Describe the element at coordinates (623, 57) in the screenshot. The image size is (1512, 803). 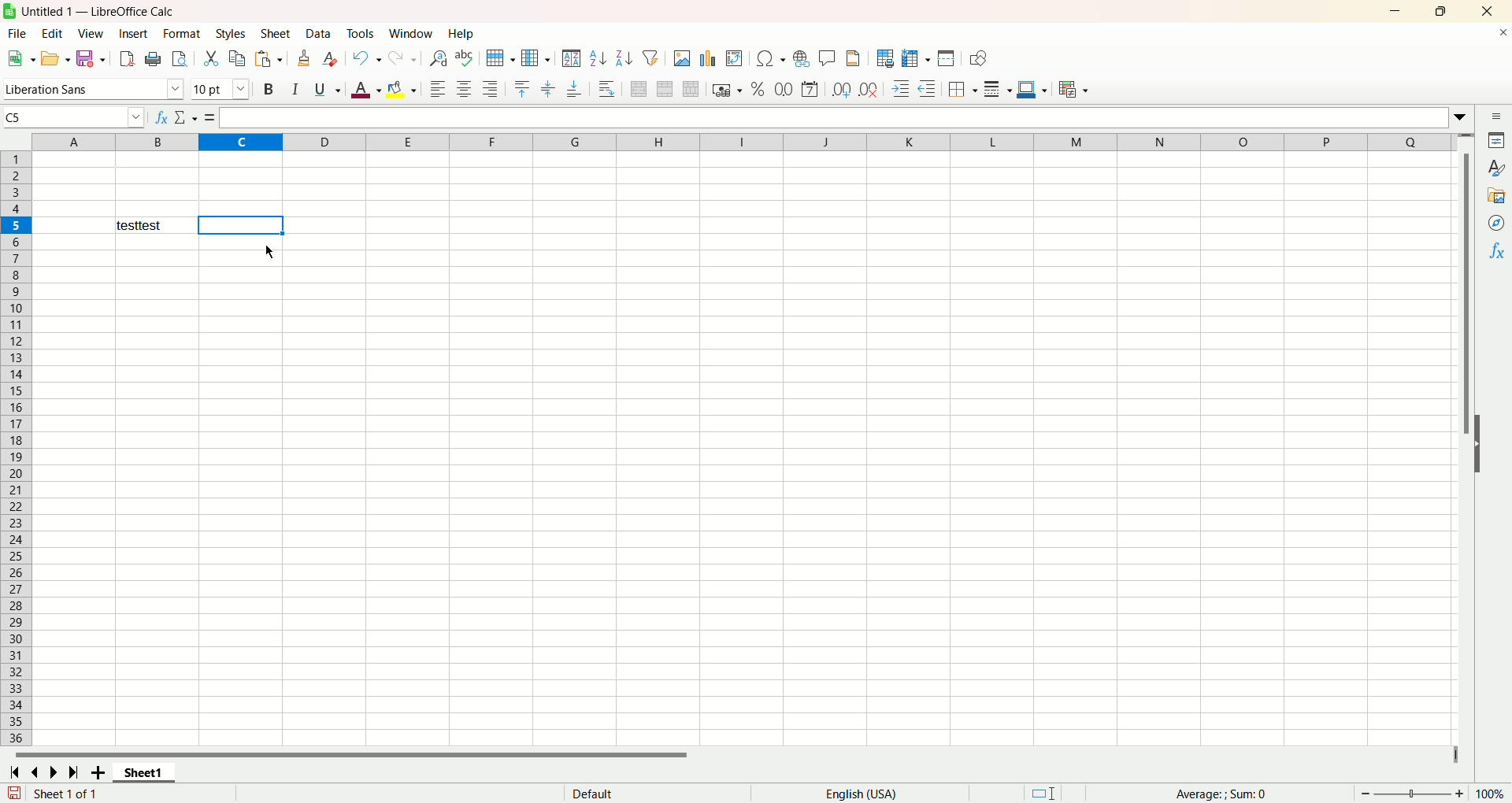
I see `sort descending` at that location.